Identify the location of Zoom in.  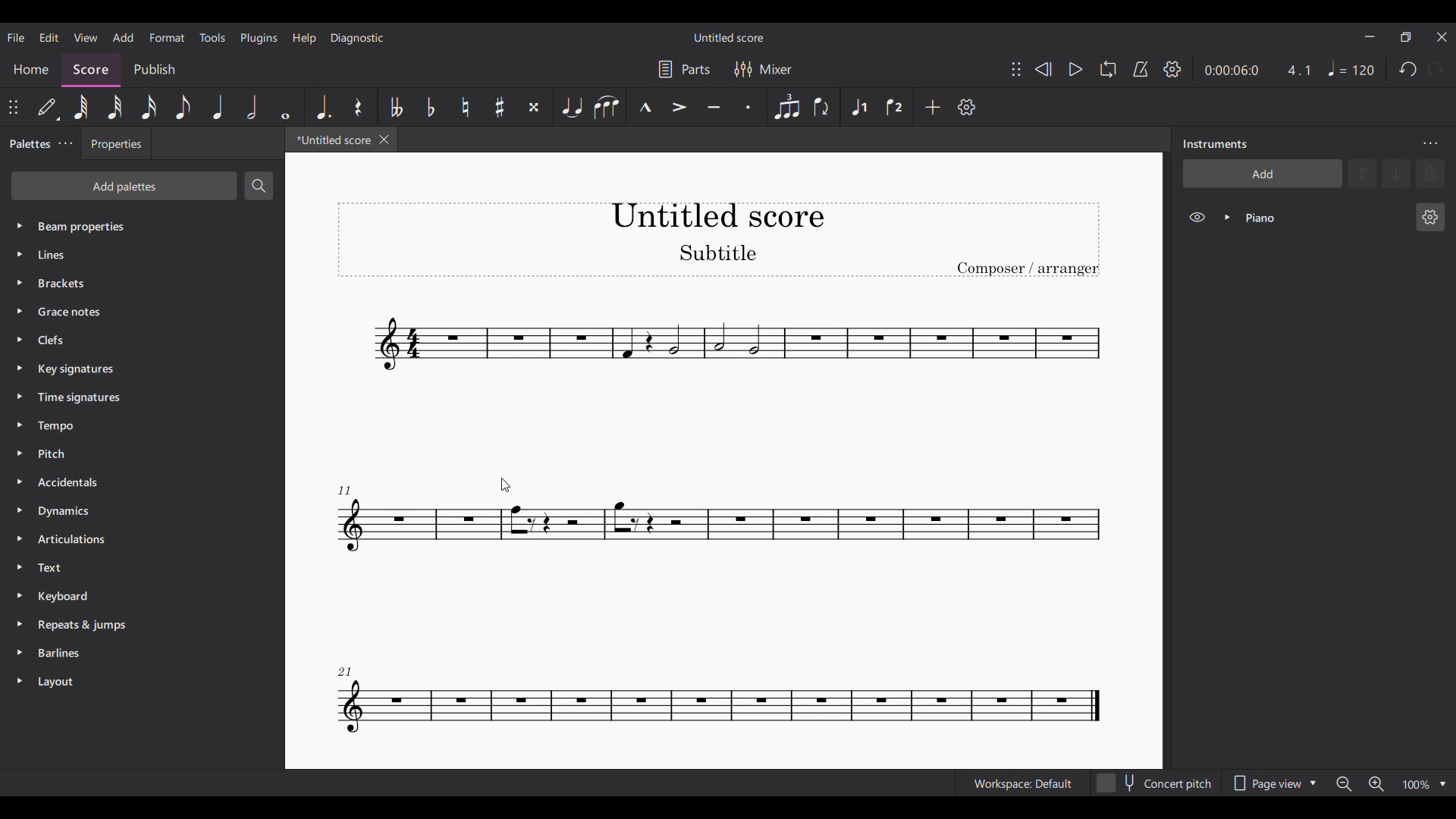
(1376, 784).